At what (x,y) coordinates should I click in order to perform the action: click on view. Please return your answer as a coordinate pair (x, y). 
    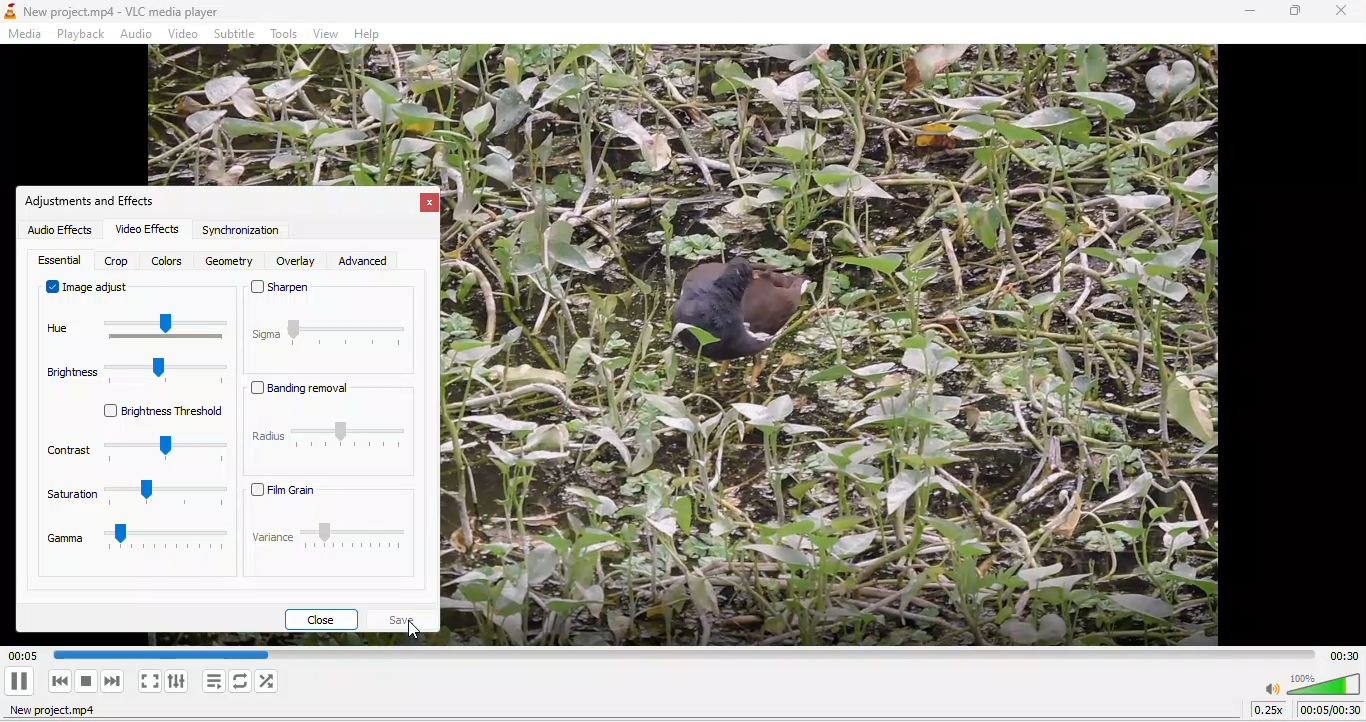
    Looking at the image, I should click on (324, 34).